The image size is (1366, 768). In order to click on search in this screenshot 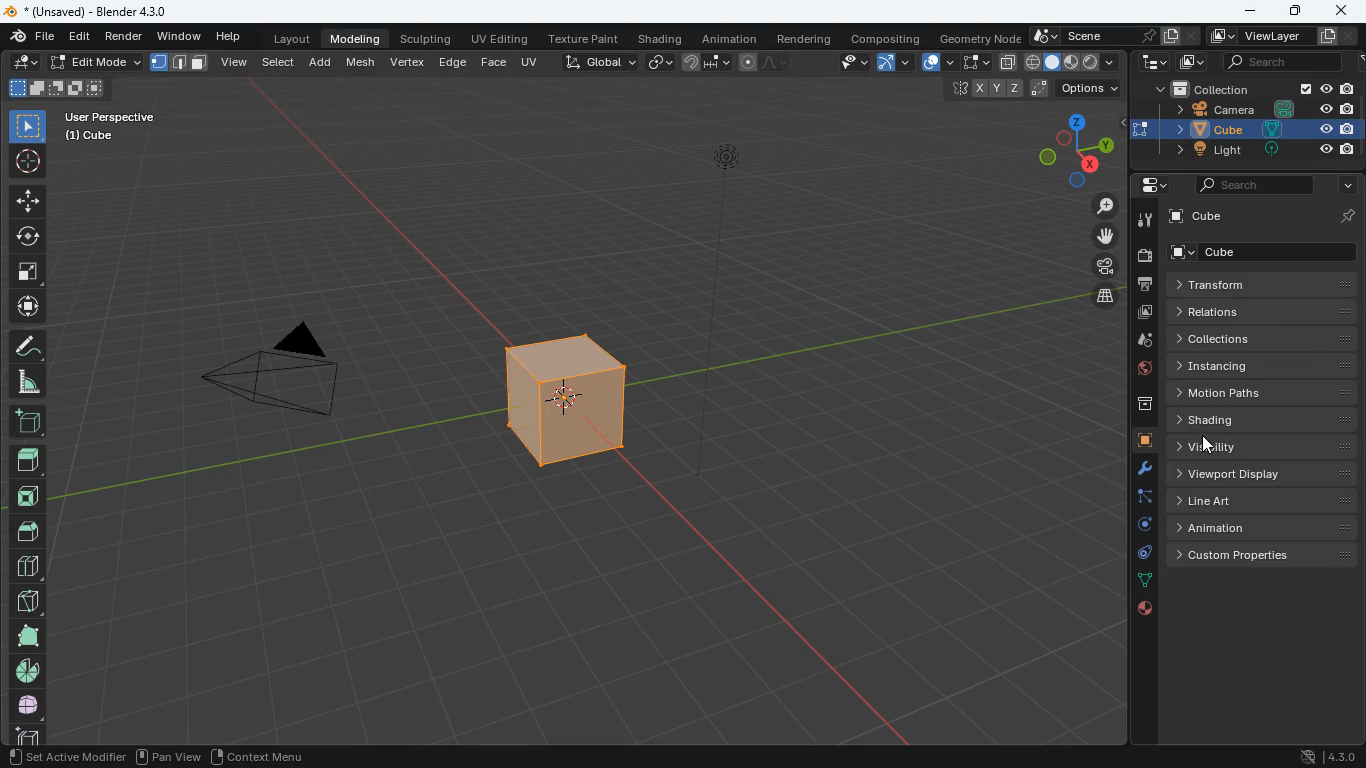, I will do `click(1252, 184)`.